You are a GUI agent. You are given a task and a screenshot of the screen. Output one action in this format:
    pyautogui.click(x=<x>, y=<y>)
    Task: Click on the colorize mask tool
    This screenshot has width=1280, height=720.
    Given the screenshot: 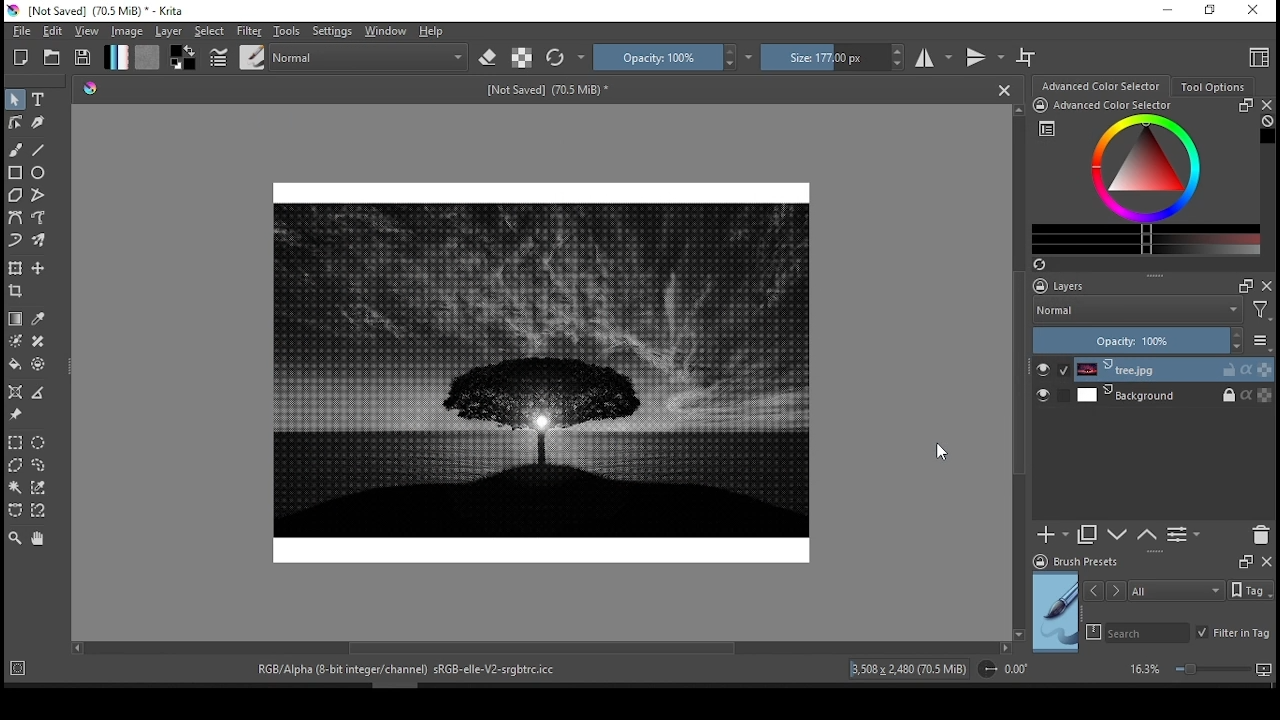 What is the action you would take?
    pyautogui.click(x=16, y=341)
    